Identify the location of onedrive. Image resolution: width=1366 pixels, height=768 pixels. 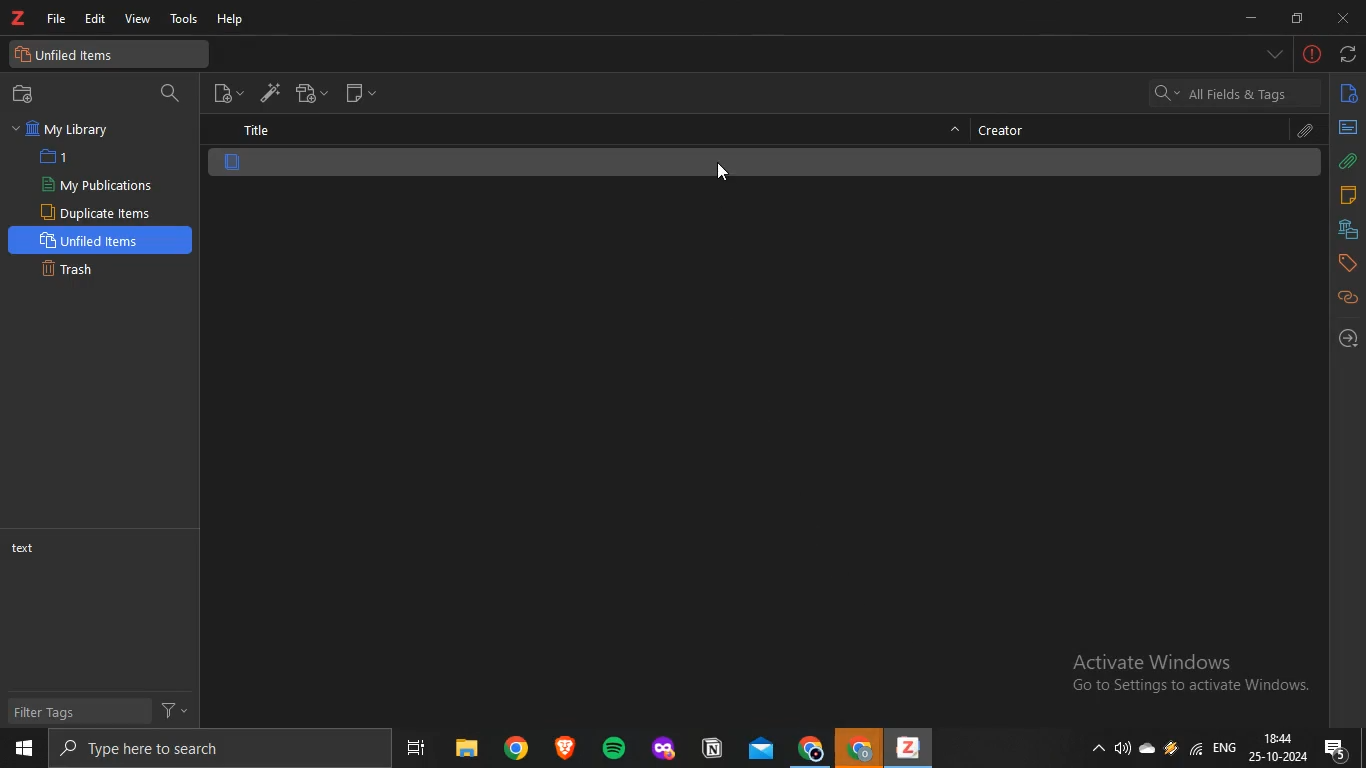
(1169, 748).